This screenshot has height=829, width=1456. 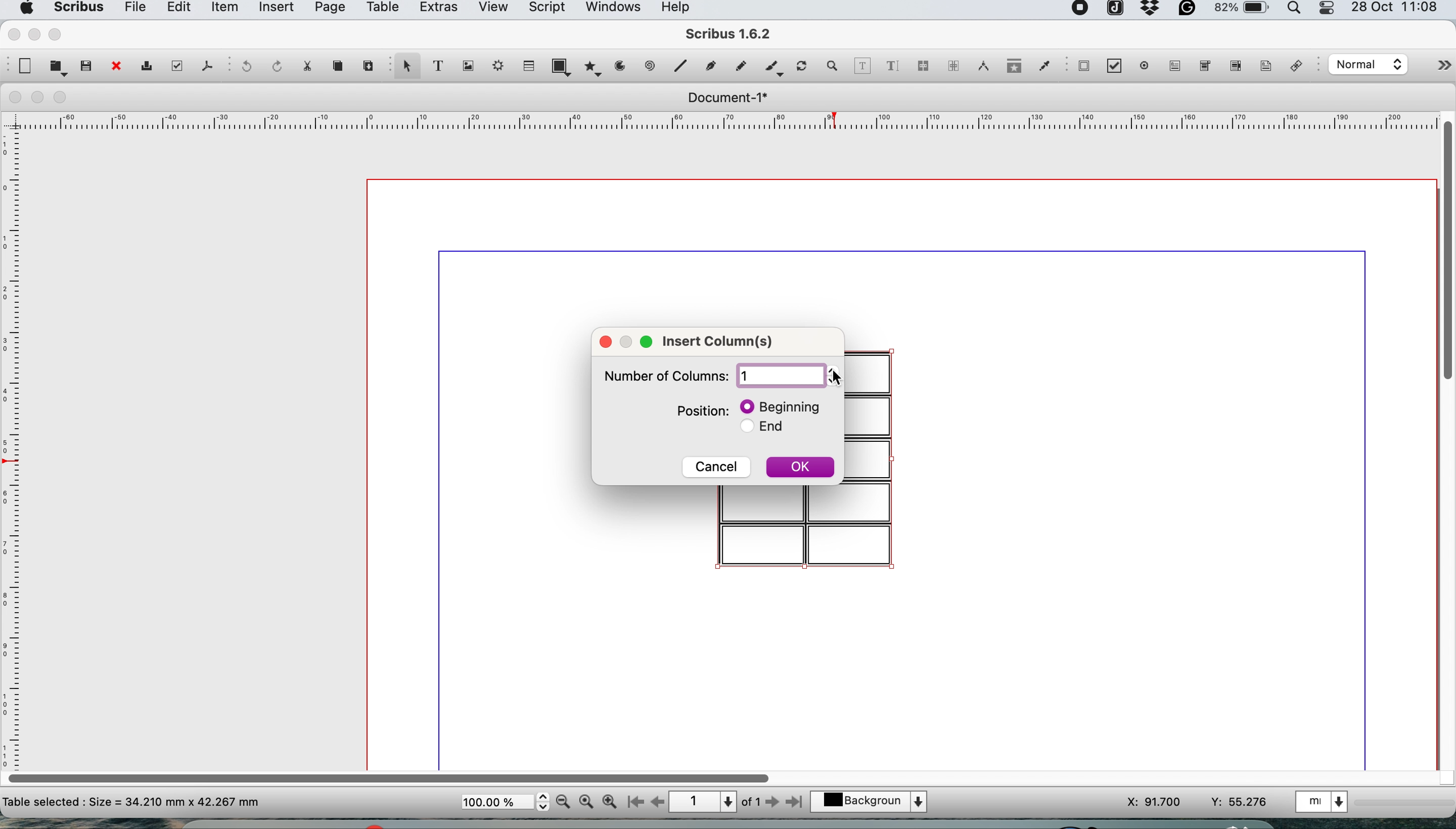 I want to click on Number of columns, so click(x=663, y=379).